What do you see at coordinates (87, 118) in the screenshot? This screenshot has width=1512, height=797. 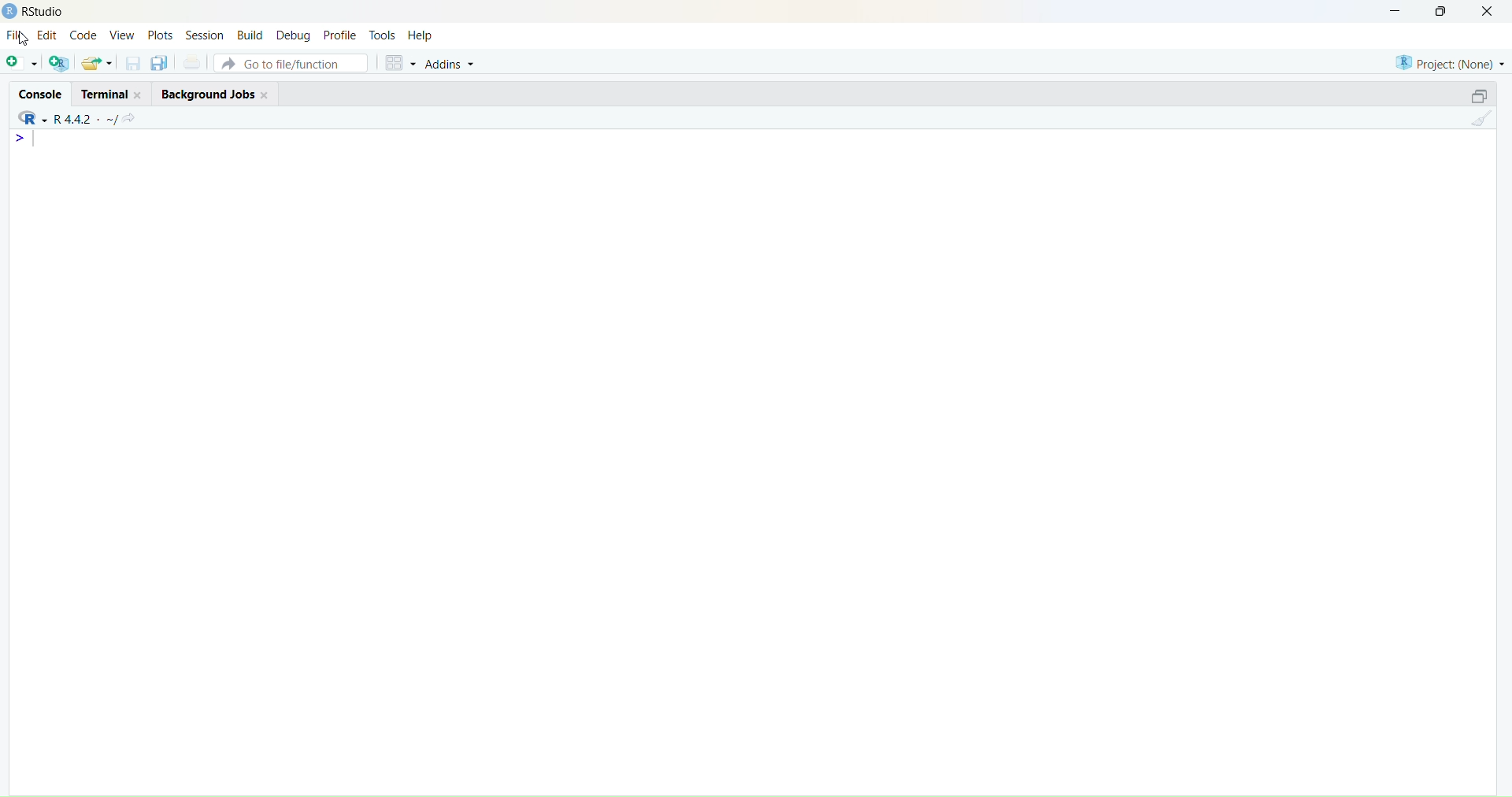 I see `R 4.4.2 ~/` at bounding box center [87, 118].